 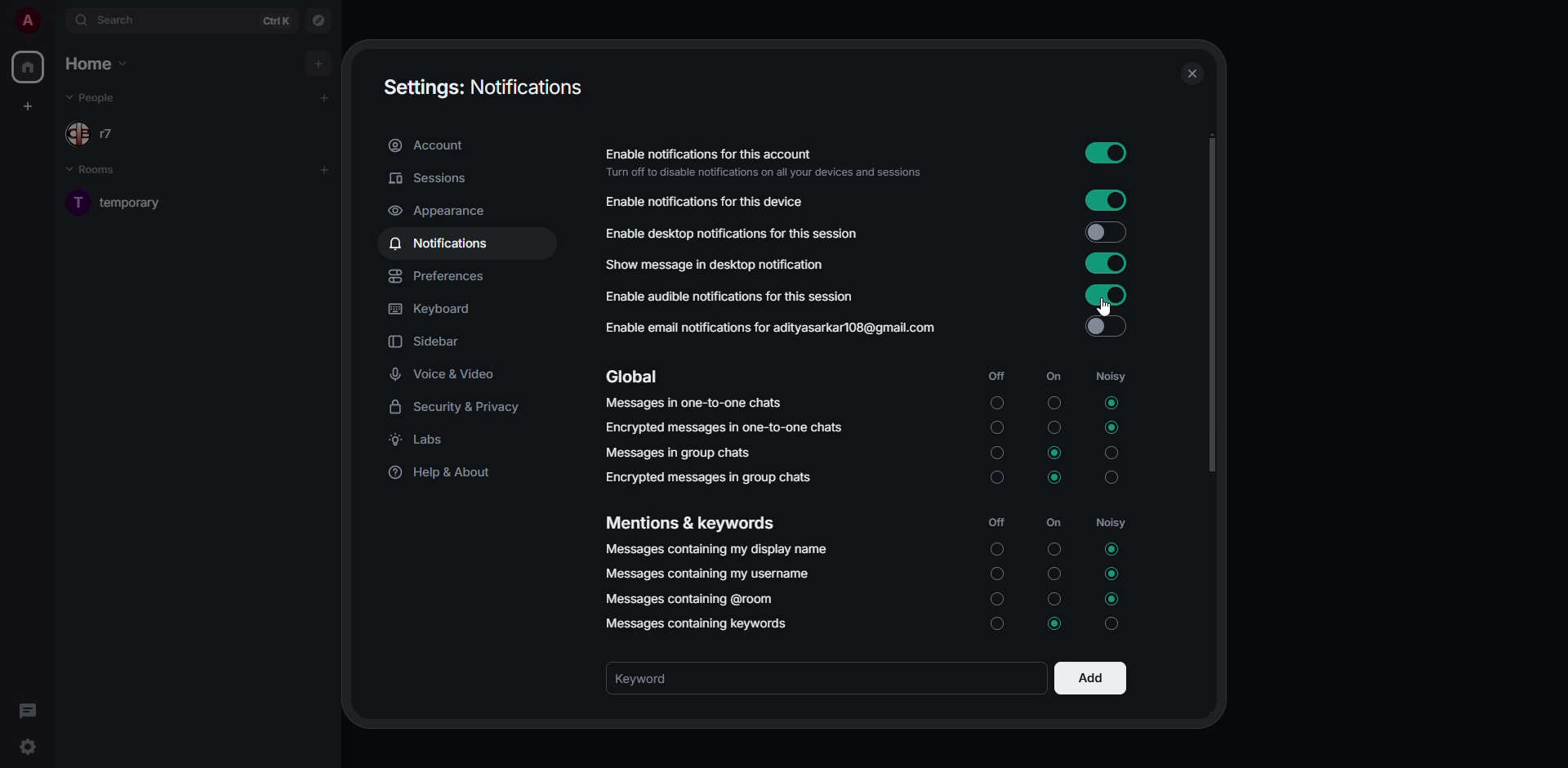 I want to click on off, so click(x=1000, y=524).